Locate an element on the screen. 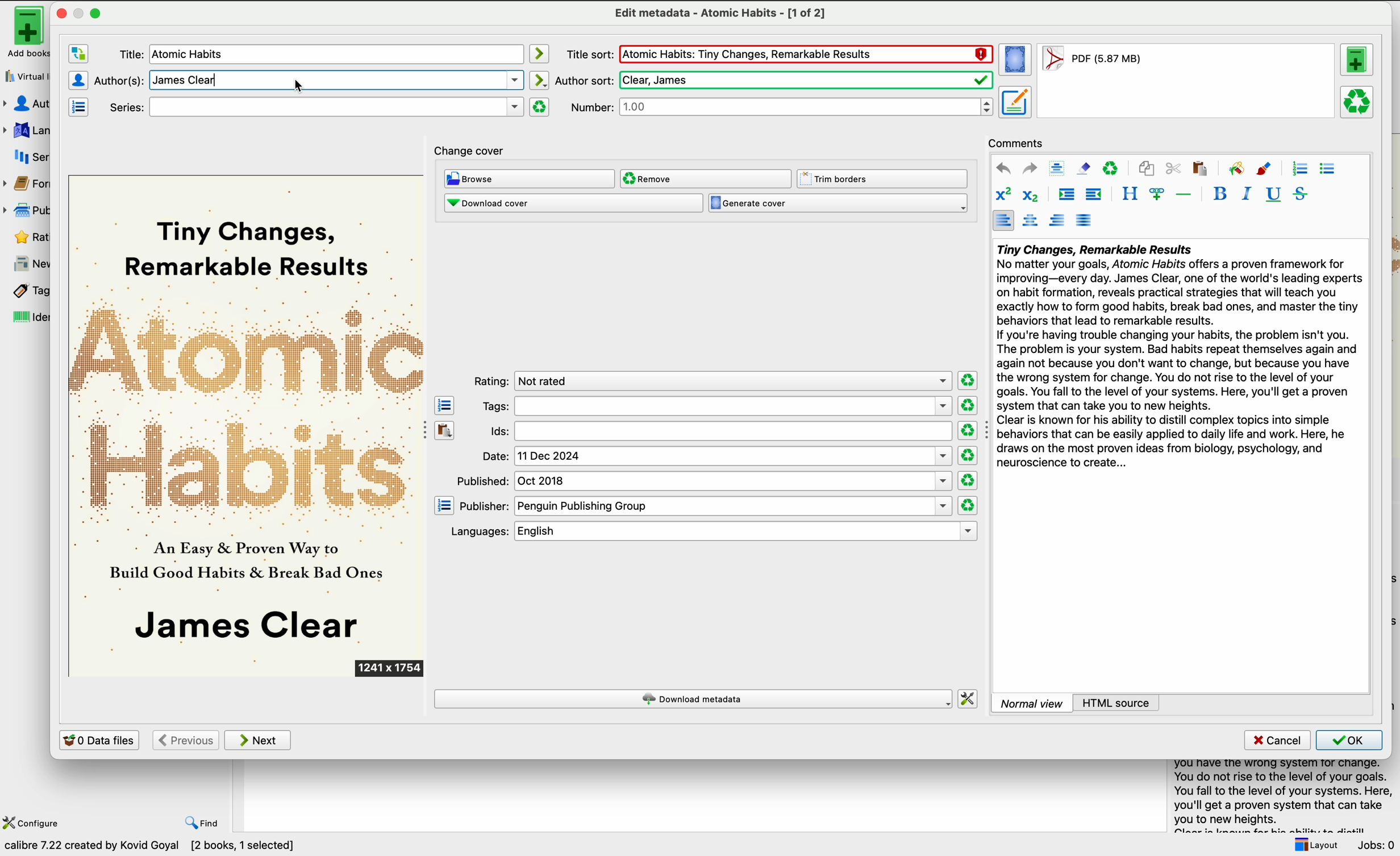 This screenshot has width=1400, height=856. format book is located at coordinates (1091, 61).